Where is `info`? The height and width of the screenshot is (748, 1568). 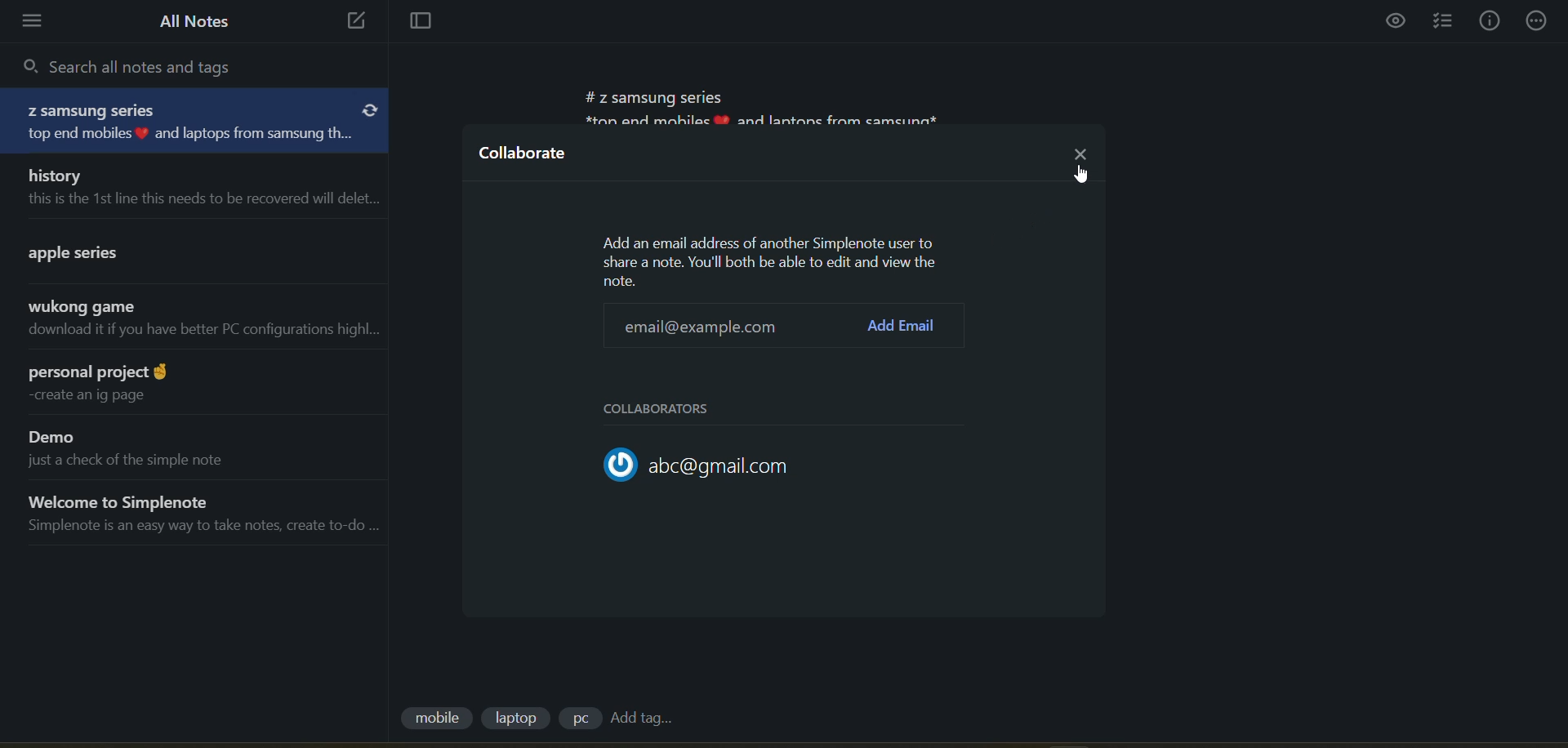
info is located at coordinates (1490, 21).